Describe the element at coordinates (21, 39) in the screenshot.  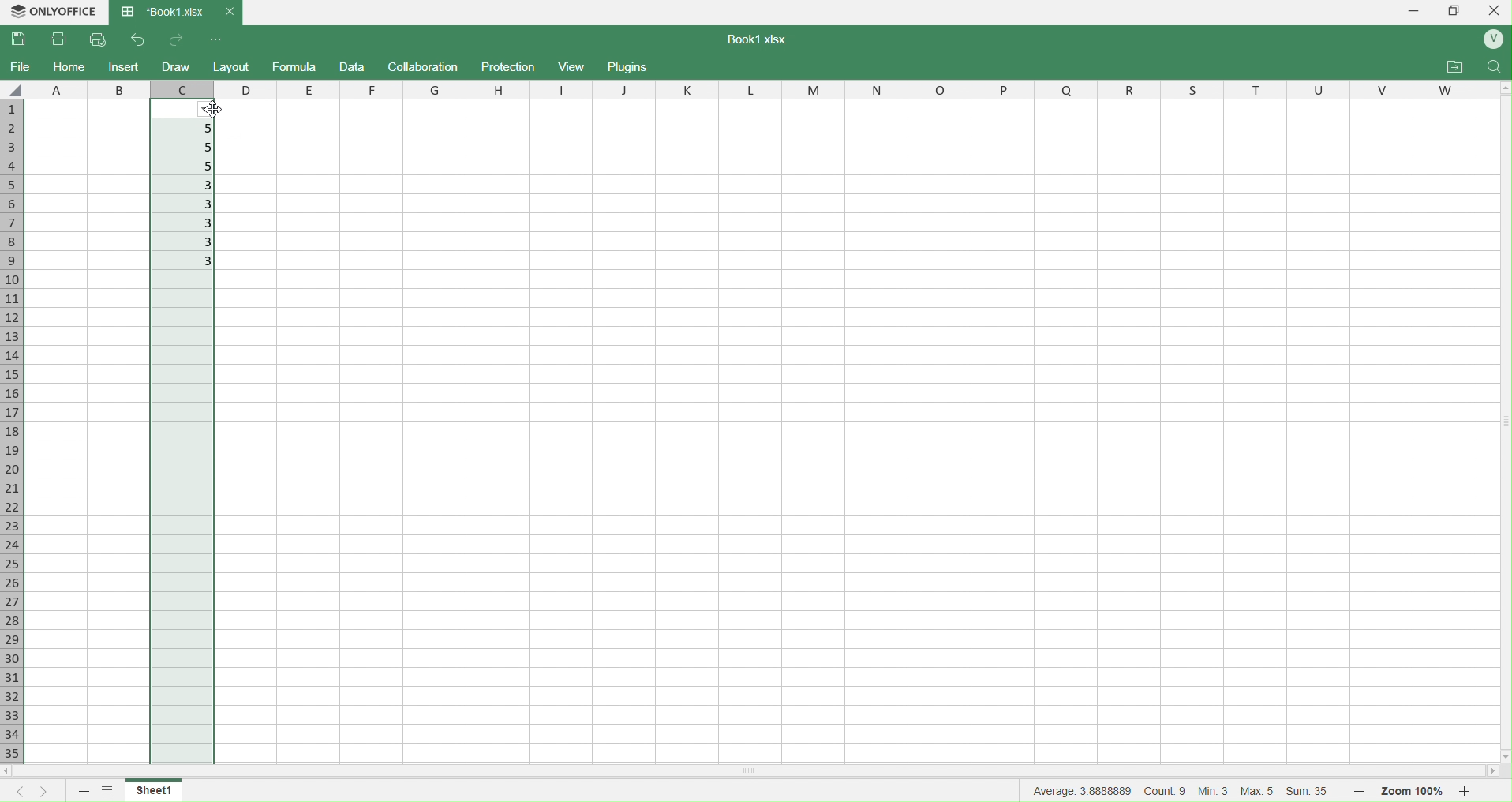
I see `Save` at that location.